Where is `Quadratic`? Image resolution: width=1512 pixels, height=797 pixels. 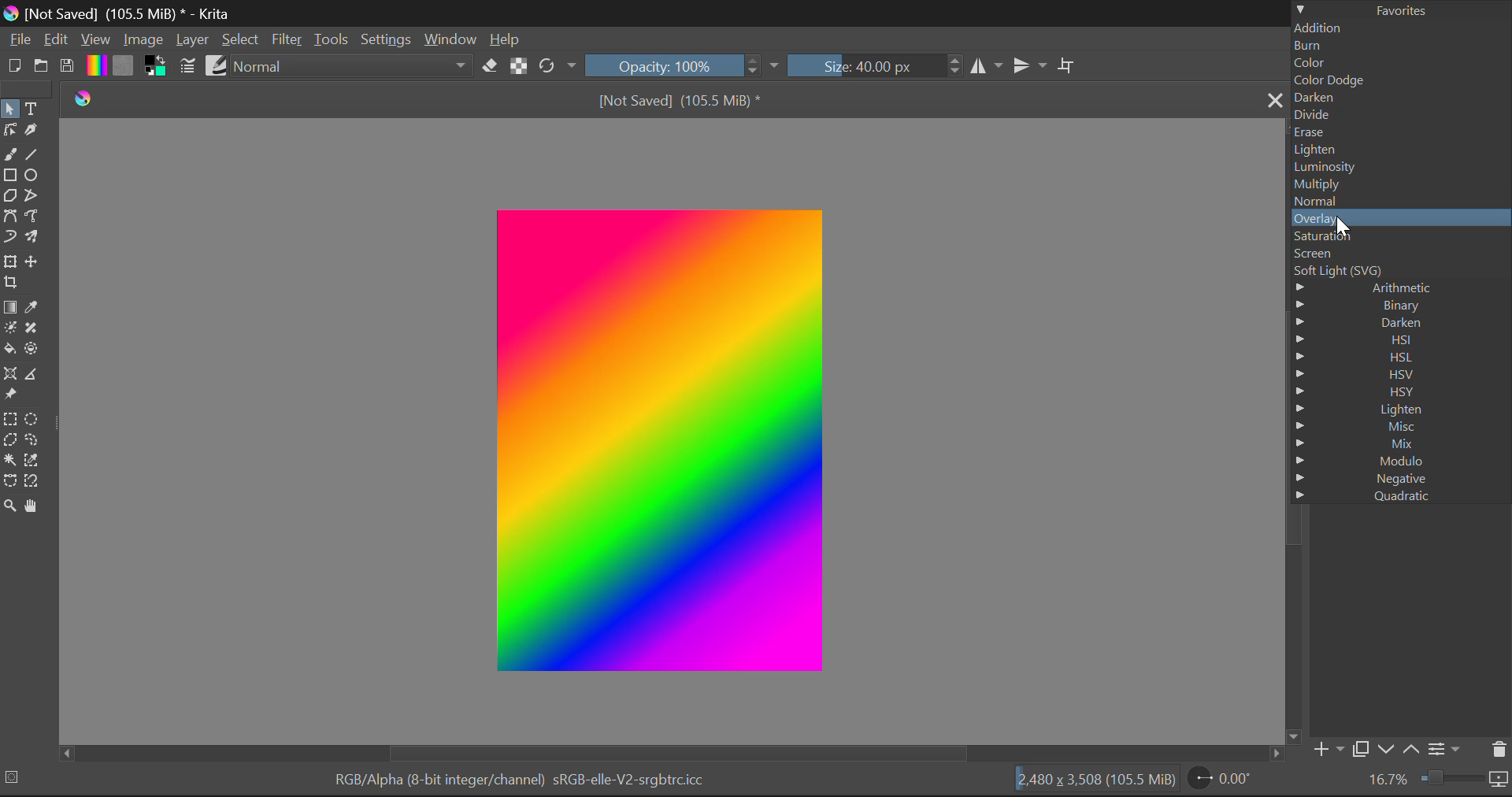
Quadratic is located at coordinates (1397, 496).